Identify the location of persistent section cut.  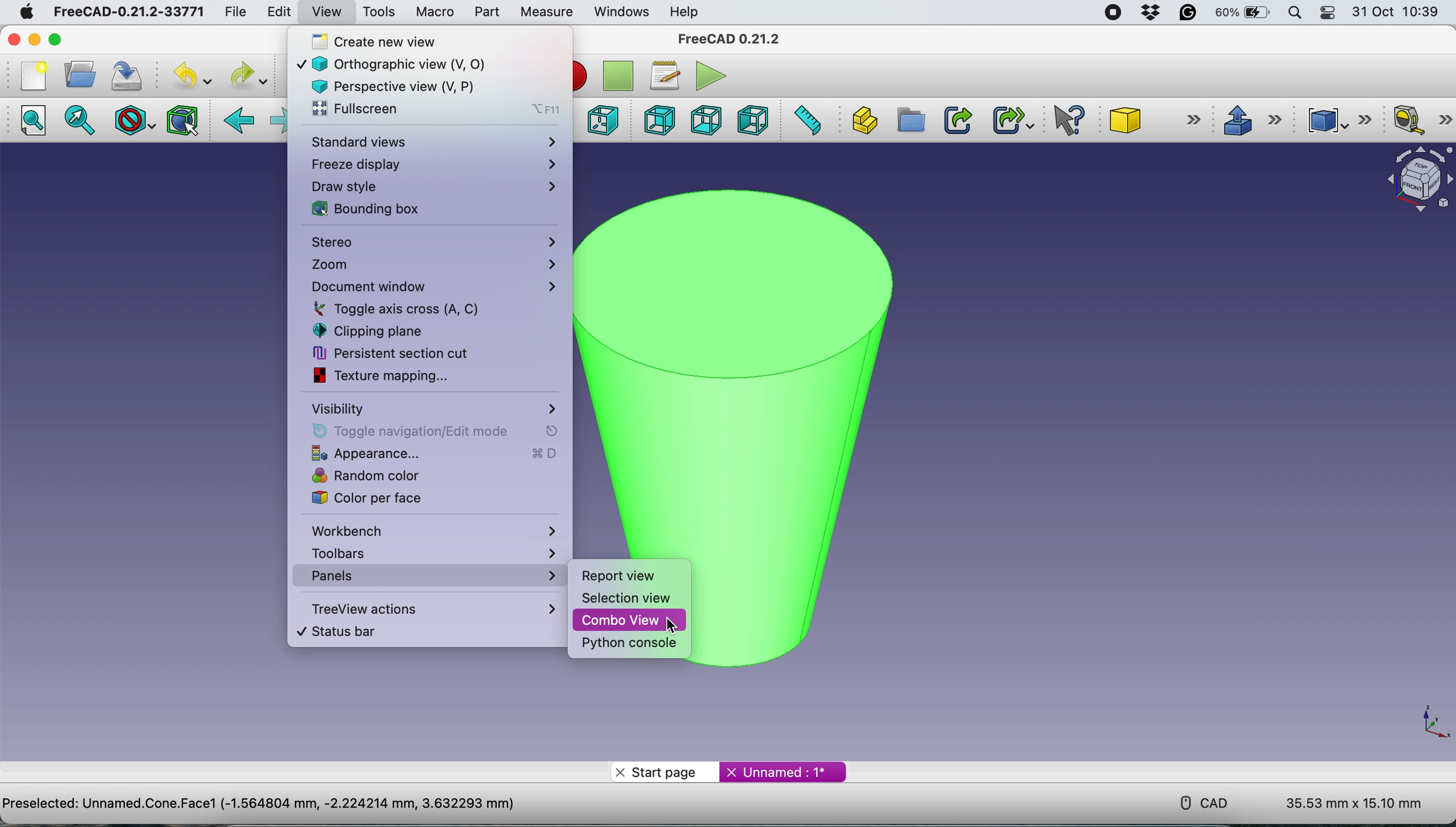
(403, 353).